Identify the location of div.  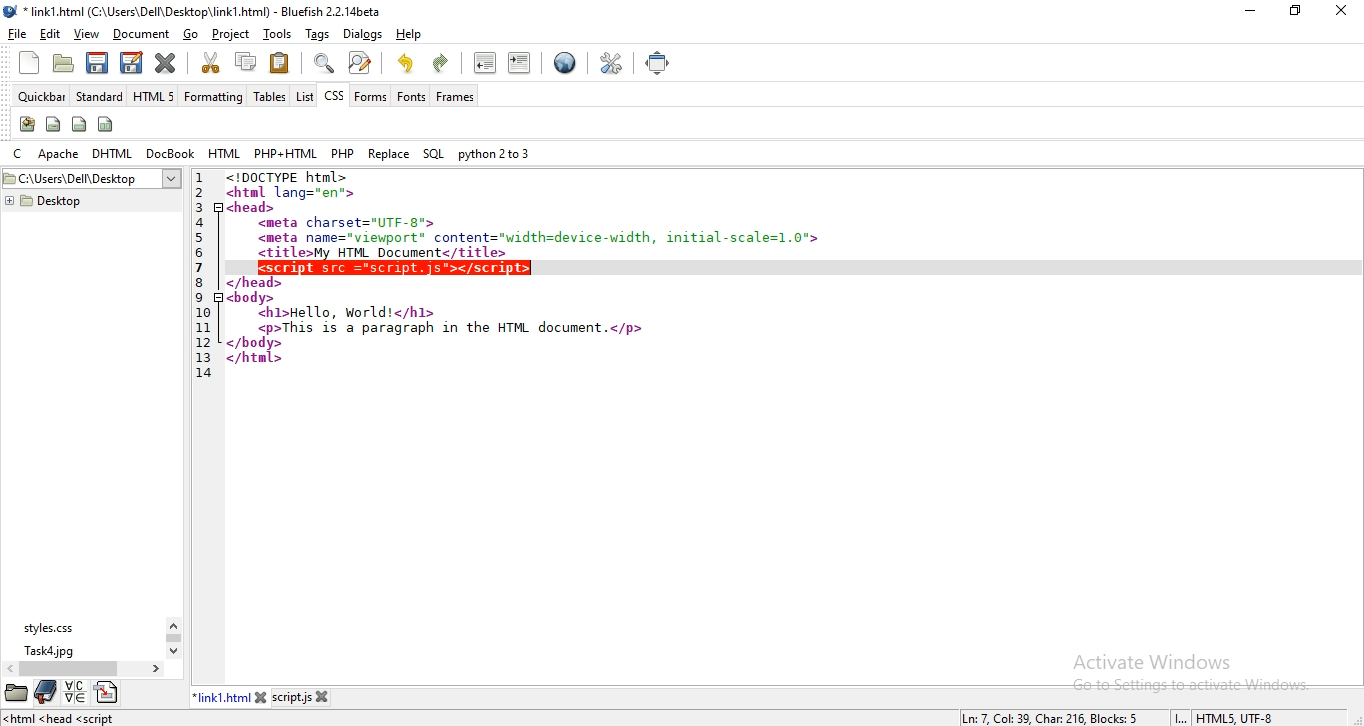
(80, 123).